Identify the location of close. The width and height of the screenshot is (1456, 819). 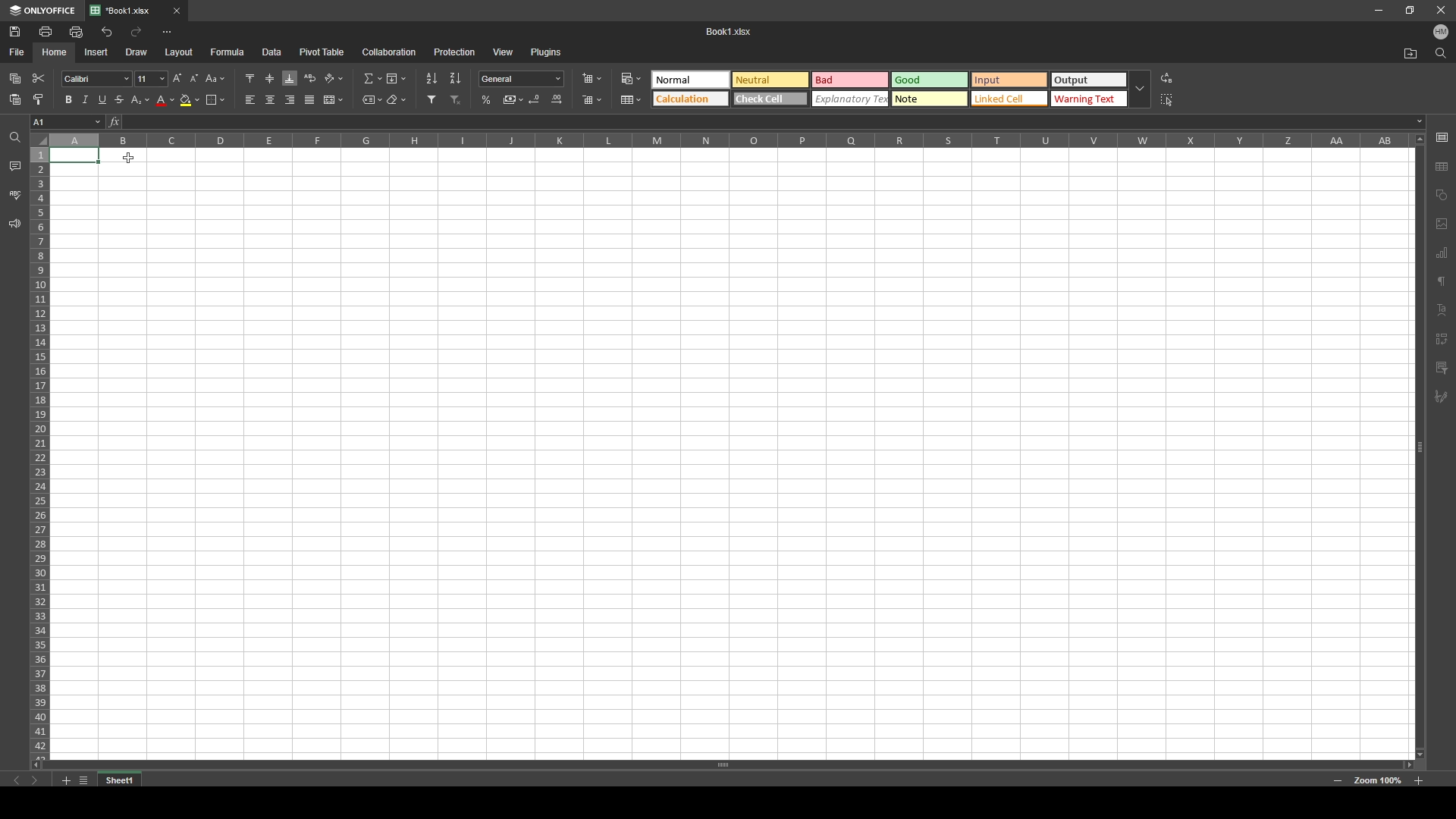
(177, 11).